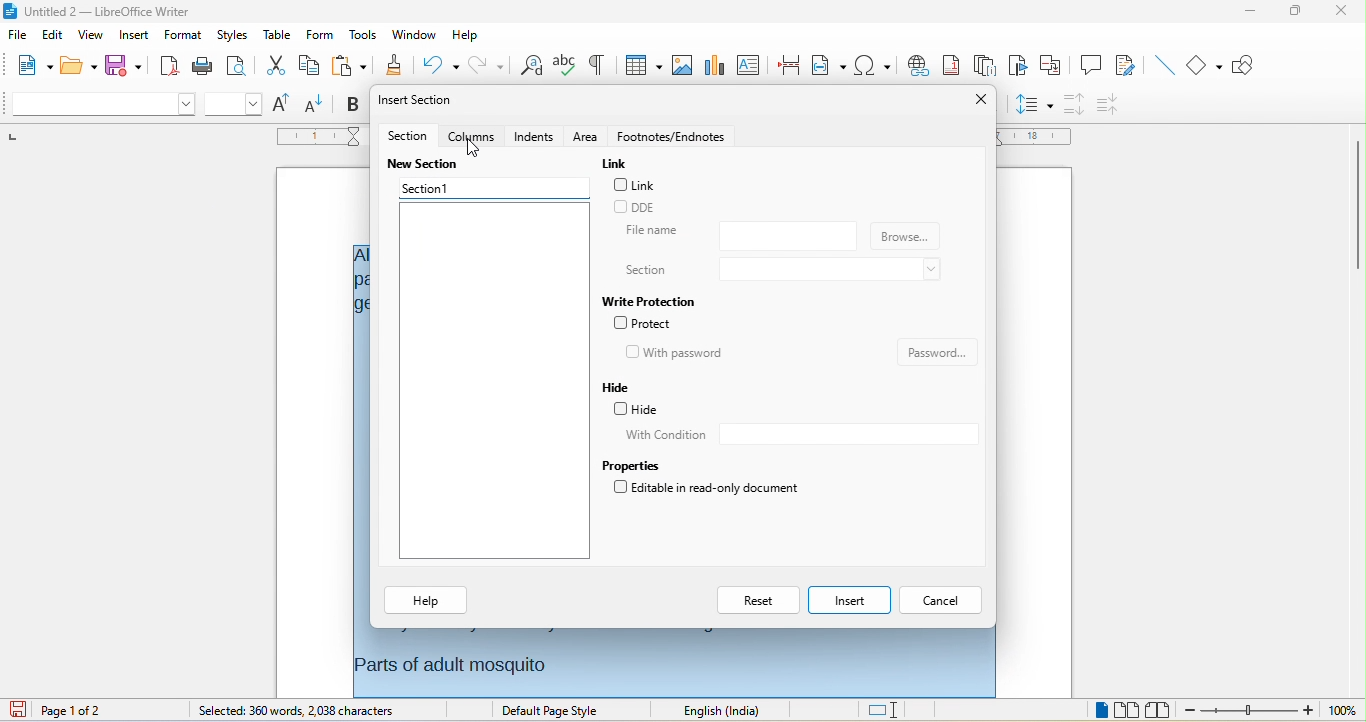 The image size is (1366, 722). Describe the element at coordinates (1158, 710) in the screenshot. I see `book view` at that location.